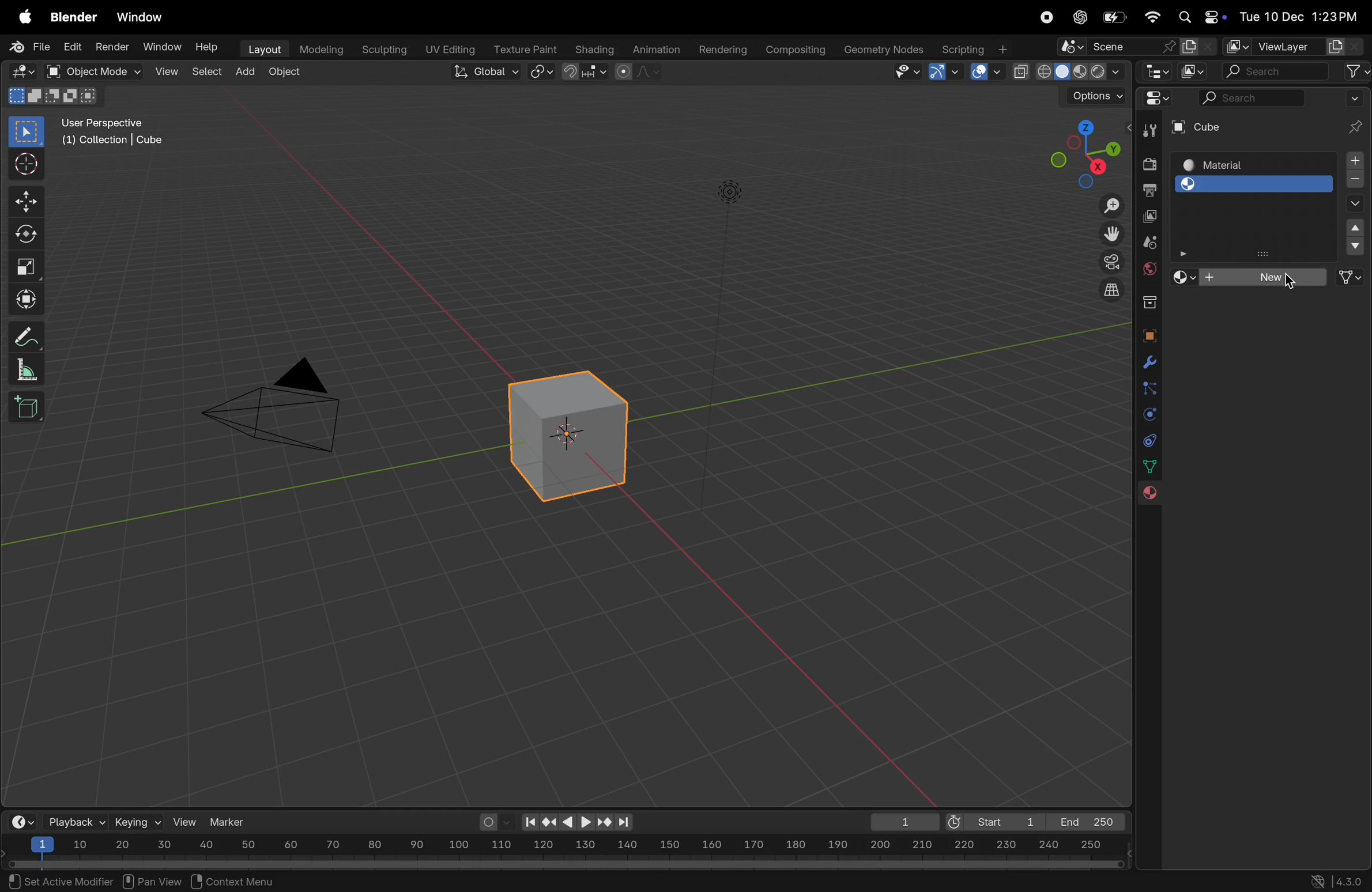 This screenshot has height=892, width=1372. Describe the element at coordinates (523, 46) in the screenshot. I see `texture paint` at that location.